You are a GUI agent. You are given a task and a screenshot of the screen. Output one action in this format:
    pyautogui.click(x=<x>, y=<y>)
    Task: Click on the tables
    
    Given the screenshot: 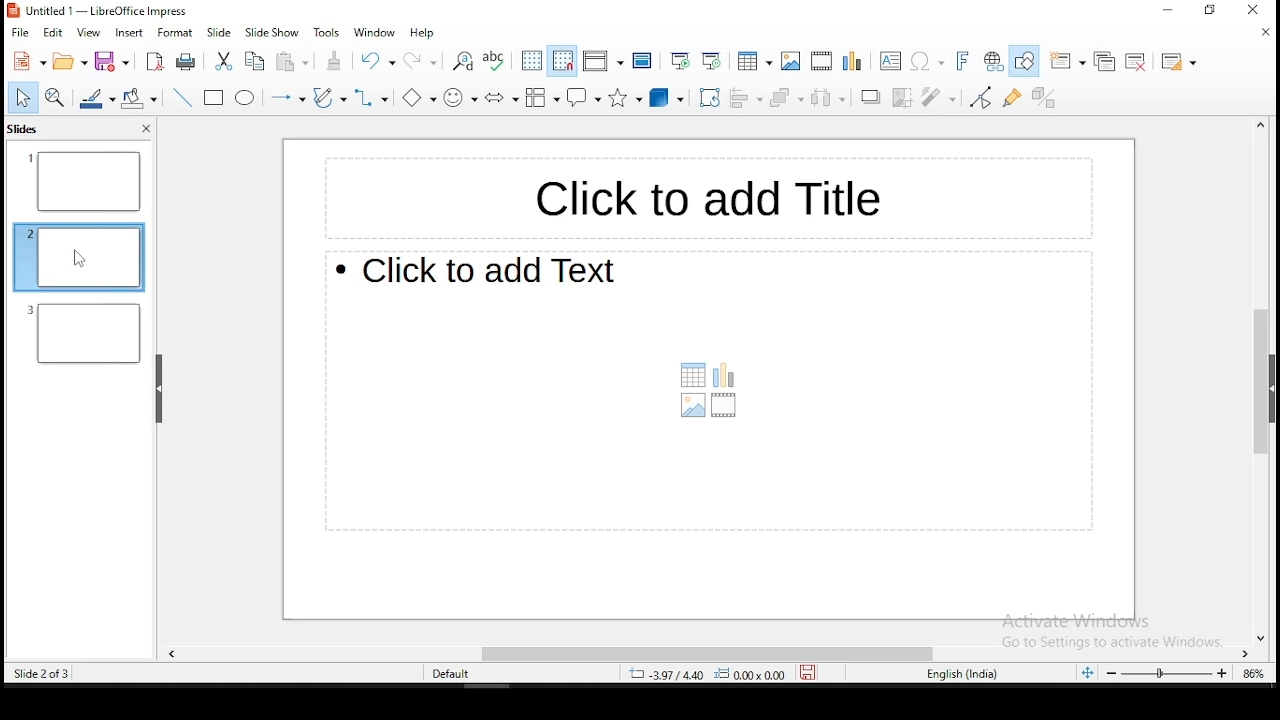 What is the action you would take?
    pyautogui.click(x=756, y=61)
    